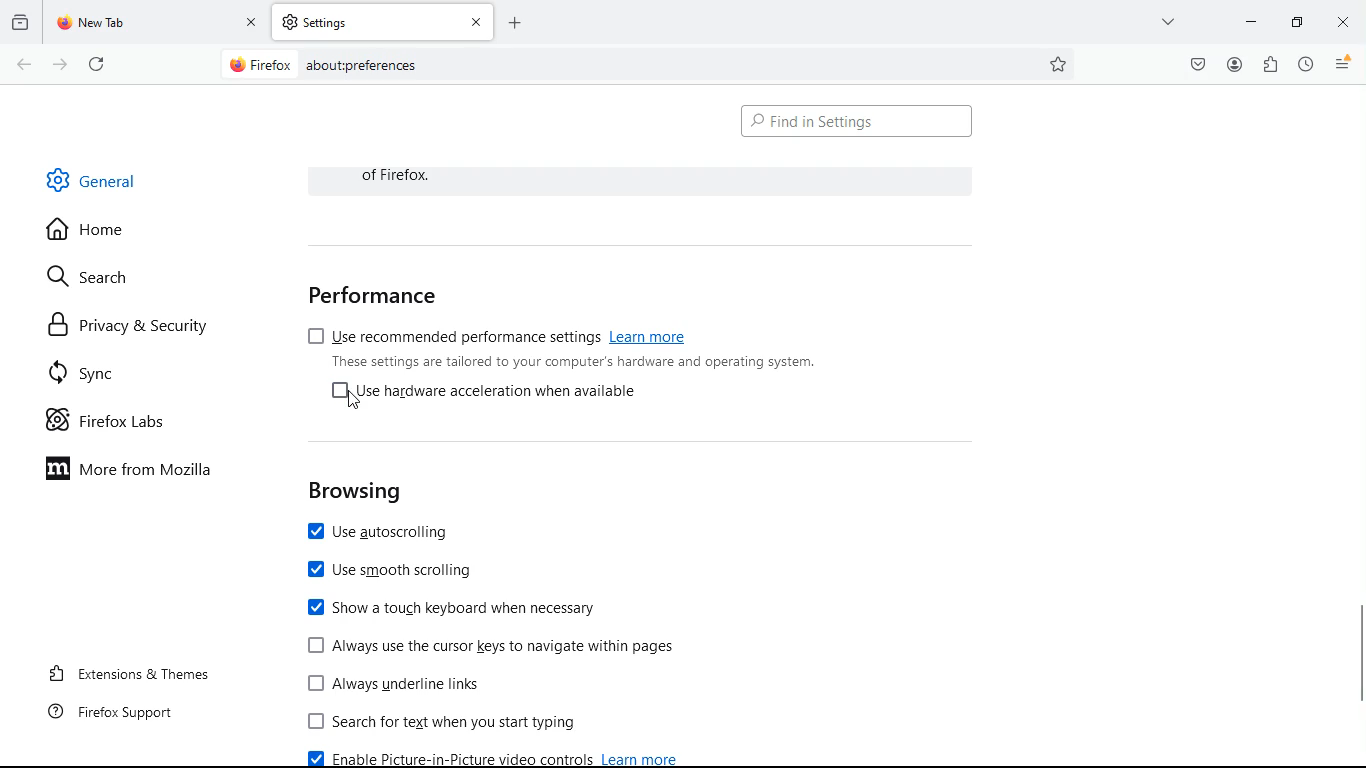 The width and height of the screenshot is (1366, 768). Describe the element at coordinates (94, 178) in the screenshot. I see `general` at that location.